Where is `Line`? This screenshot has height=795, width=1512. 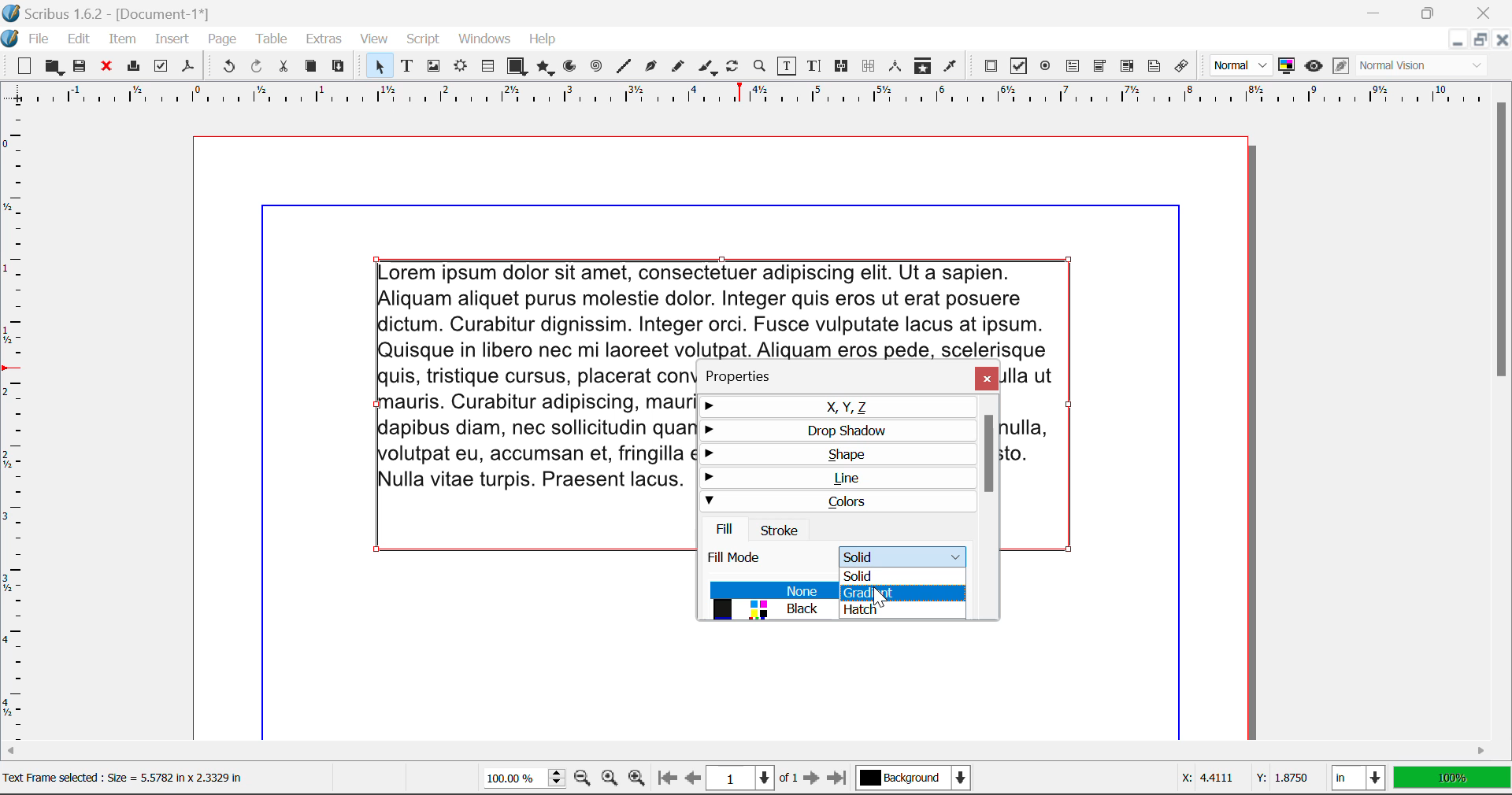
Line is located at coordinates (837, 478).